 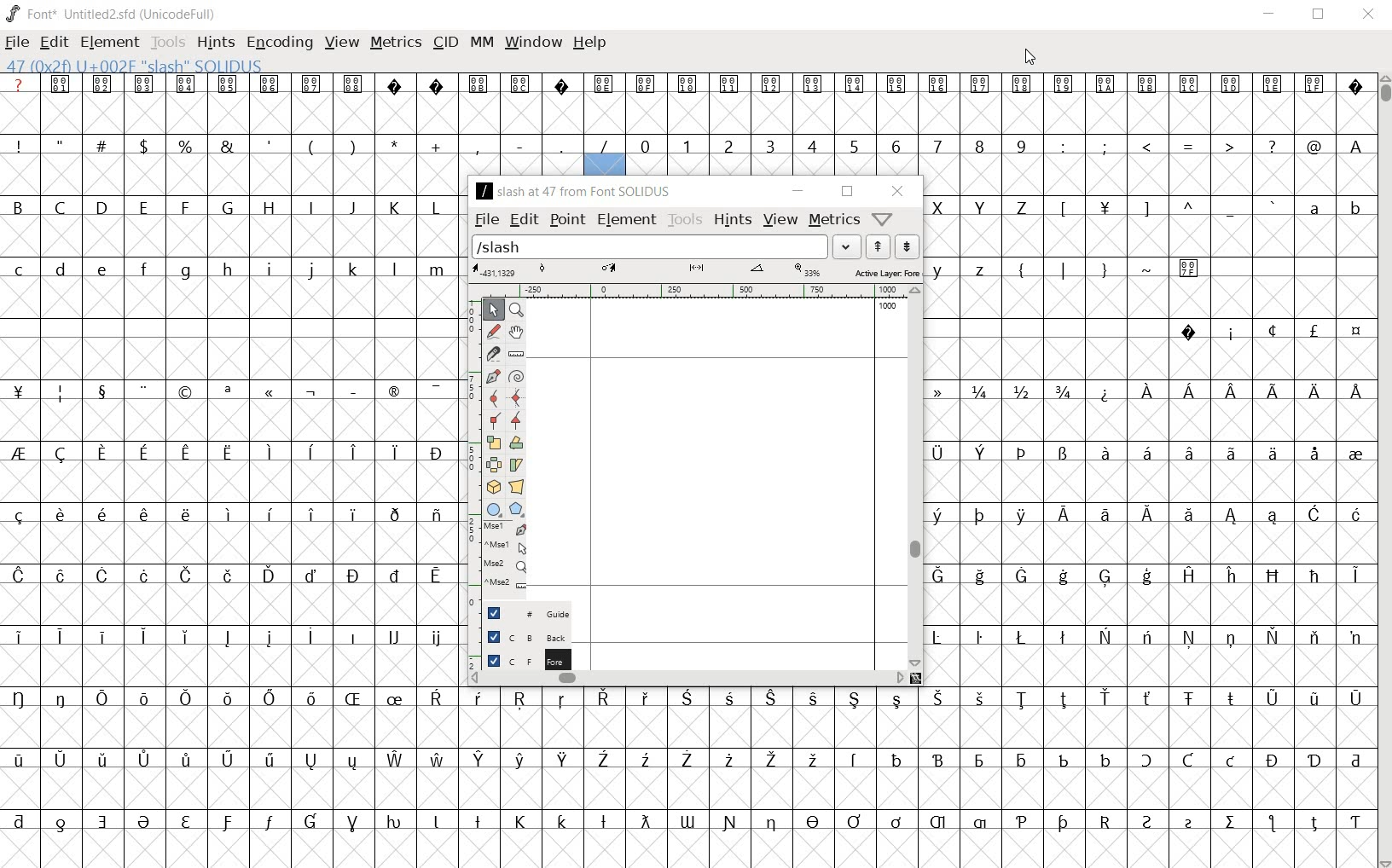 I want to click on metrics, so click(x=834, y=219).